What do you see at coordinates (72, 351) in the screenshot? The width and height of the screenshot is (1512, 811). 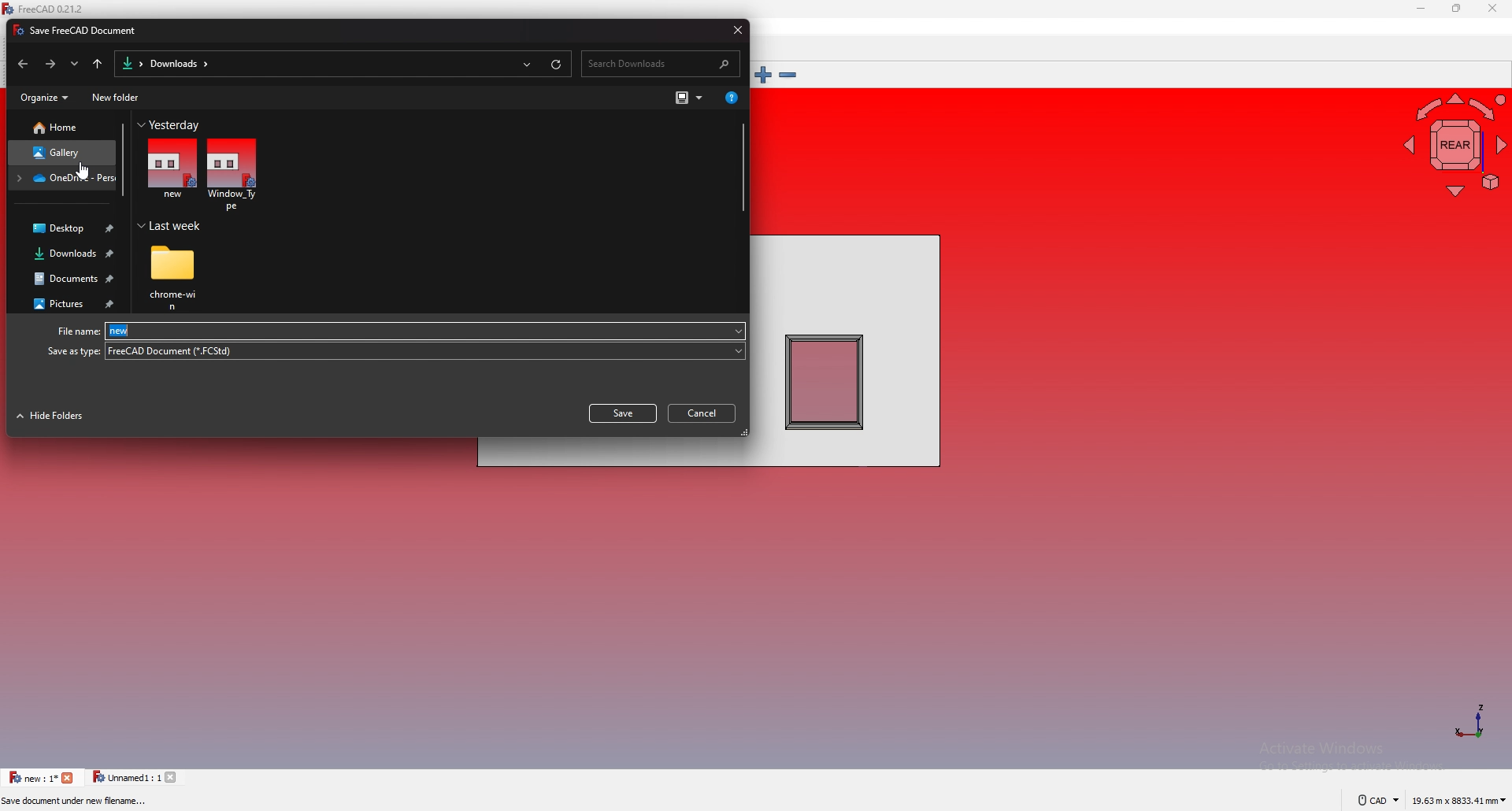 I see `Save as type` at bounding box center [72, 351].